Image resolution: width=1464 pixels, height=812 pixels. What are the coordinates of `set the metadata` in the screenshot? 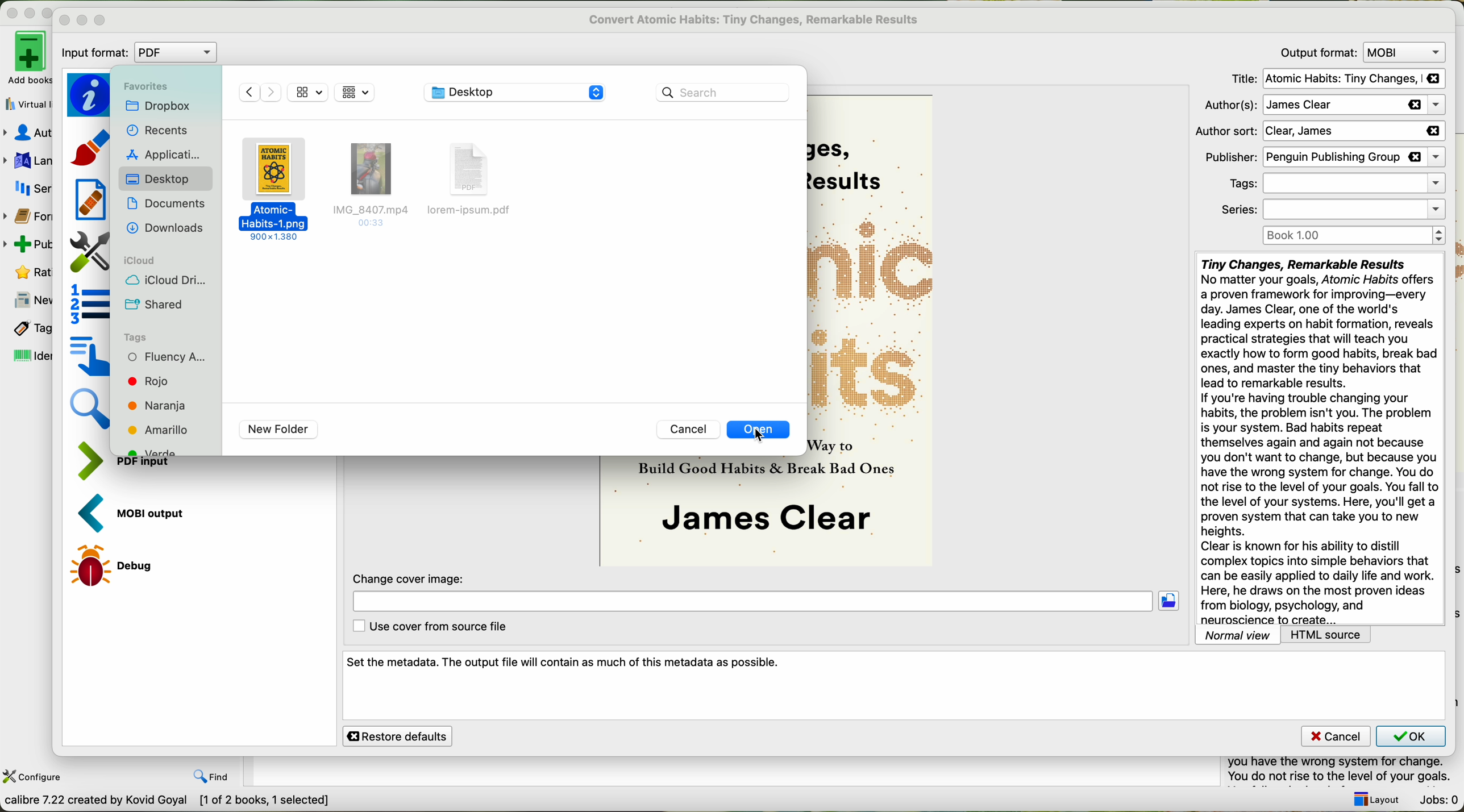 It's located at (895, 686).